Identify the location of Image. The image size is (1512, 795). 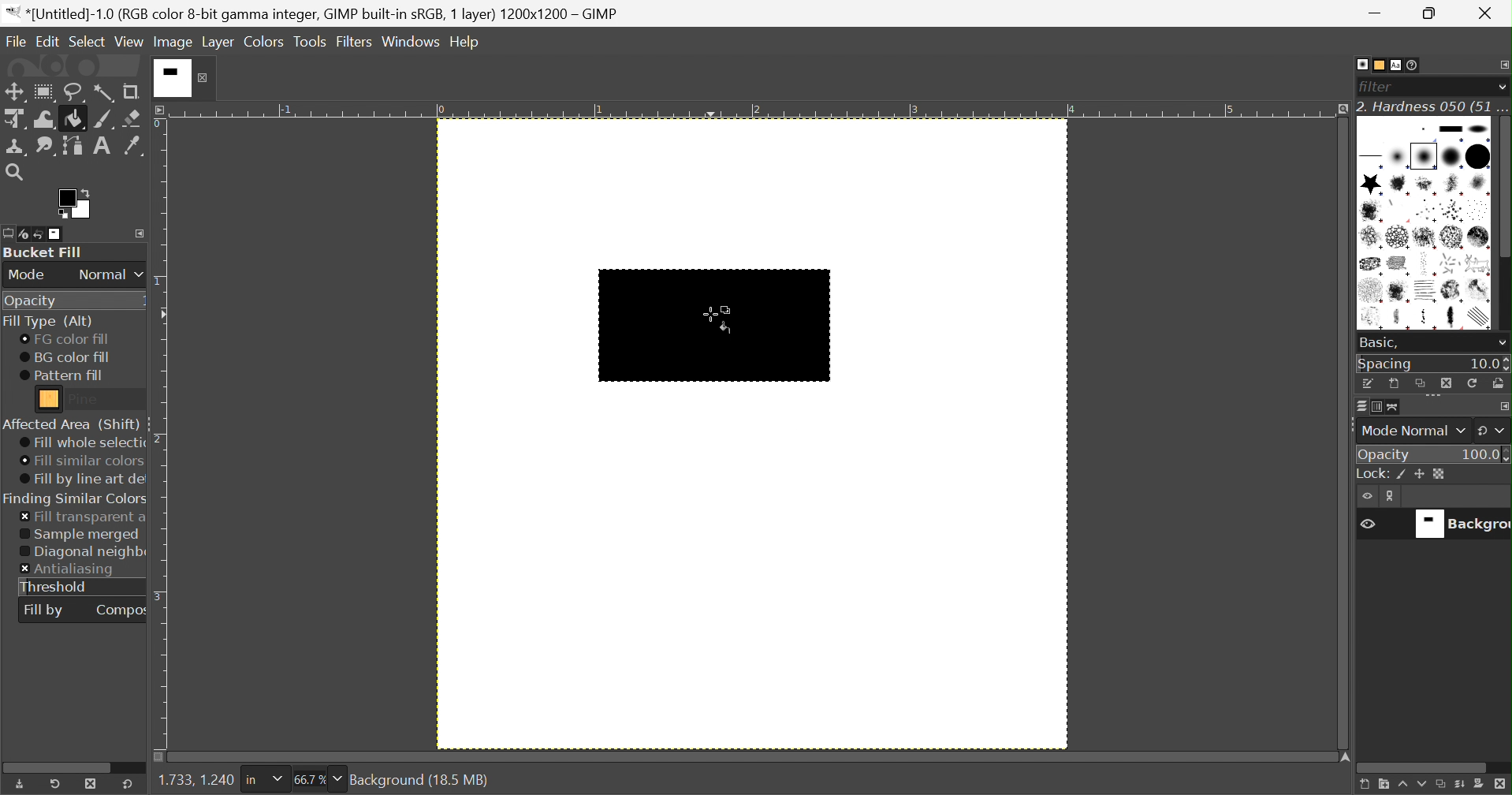
(174, 42).